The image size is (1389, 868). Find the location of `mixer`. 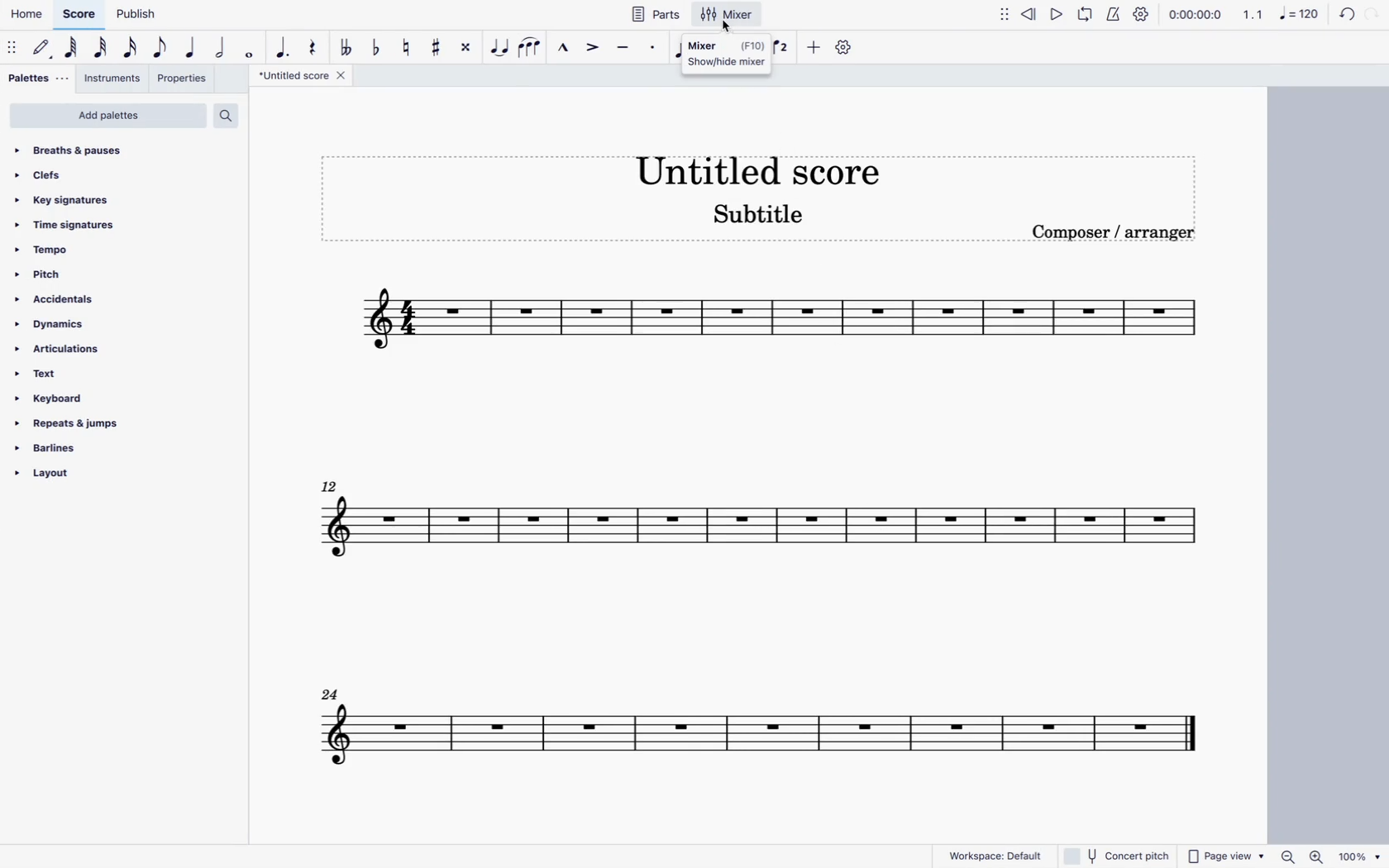

mixer is located at coordinates (725, 51).